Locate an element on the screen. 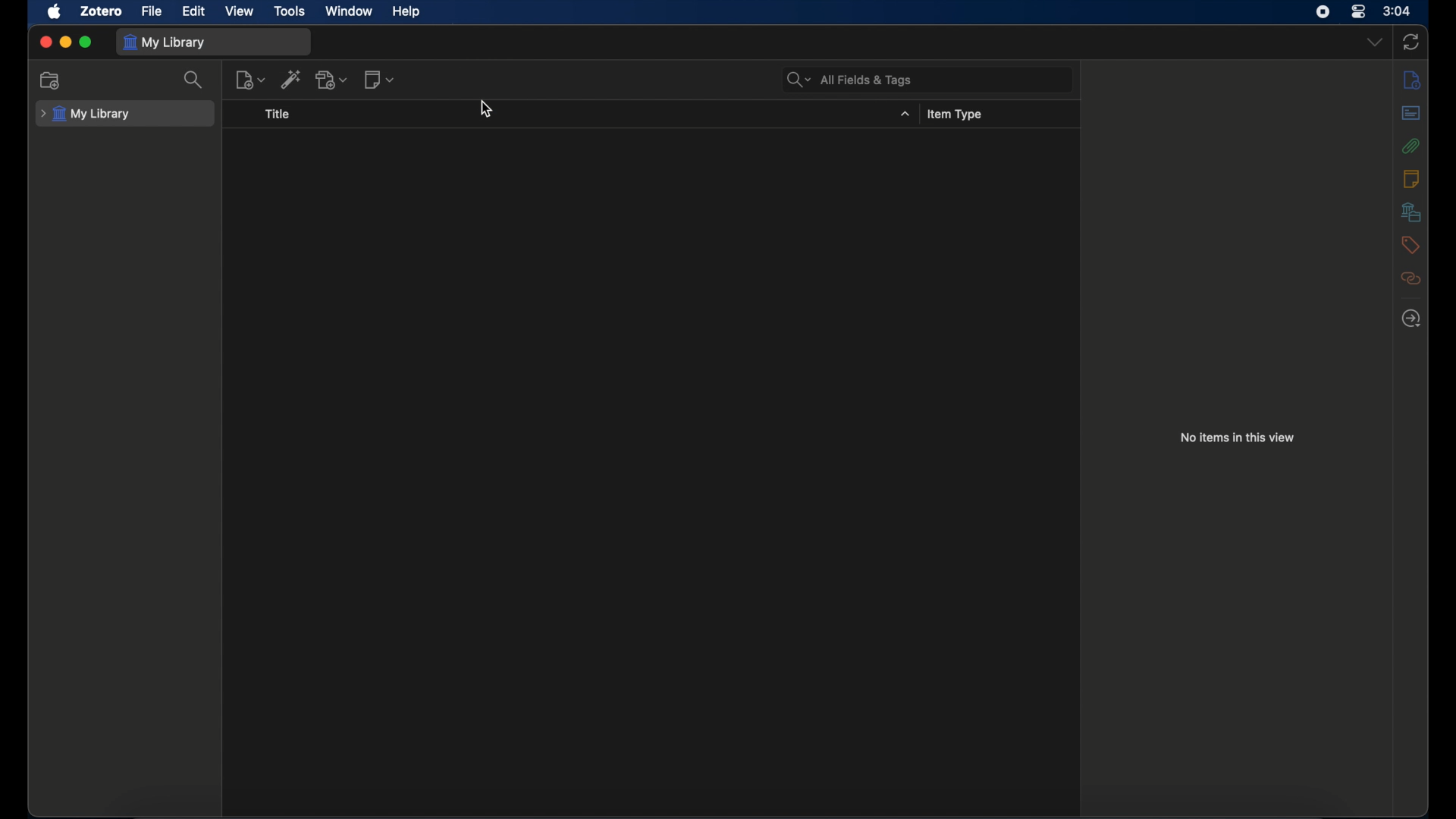  help is located at coordinates (405, 11).